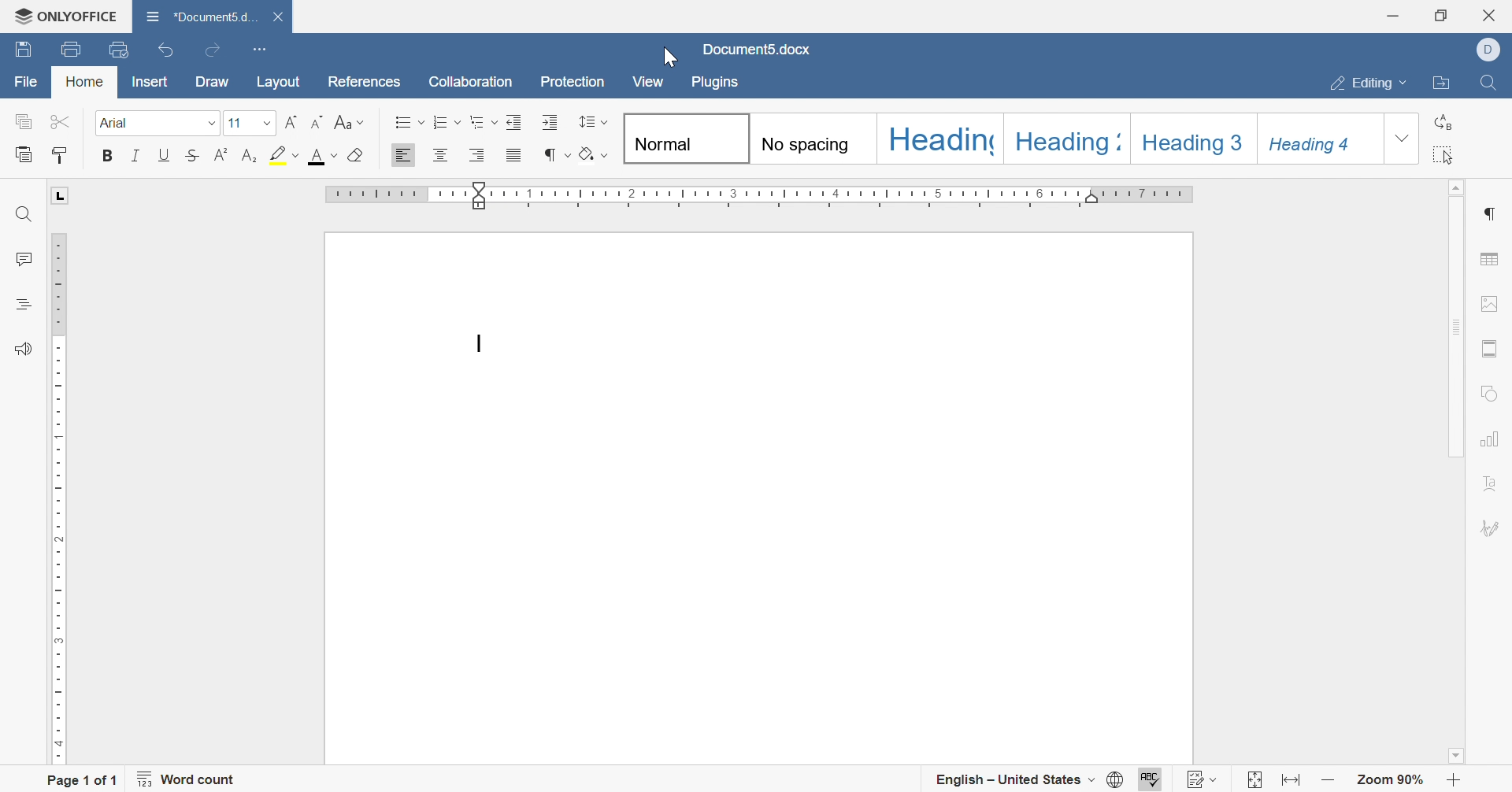 The height and width of the screenshot is (792, 1512). What do you see at coordinates (1251, 781) in the screenshot?
I see `fit to page` at bounding box center [1251, 781].